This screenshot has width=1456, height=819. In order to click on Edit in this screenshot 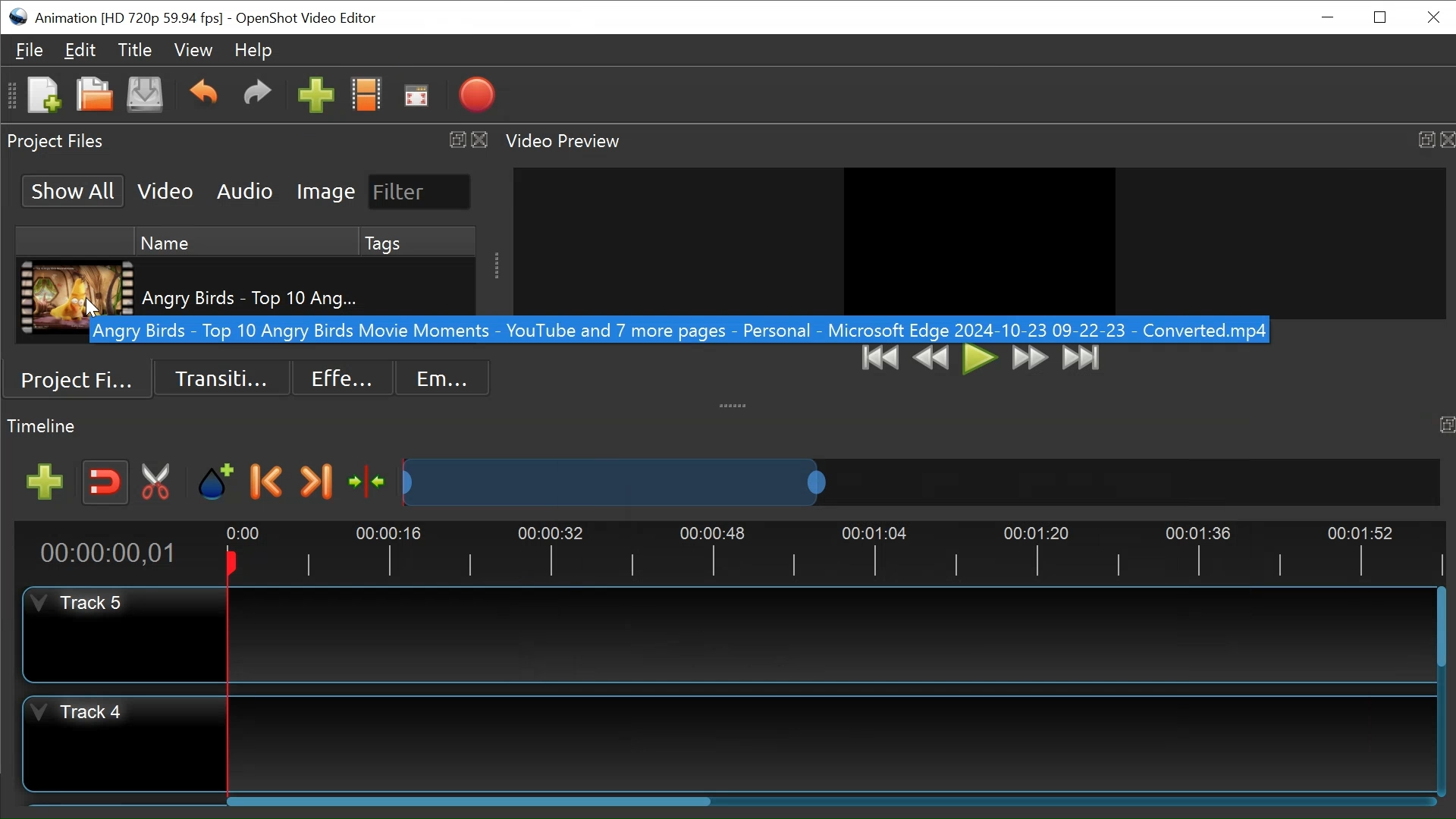, I will do `click(81, 51)`.